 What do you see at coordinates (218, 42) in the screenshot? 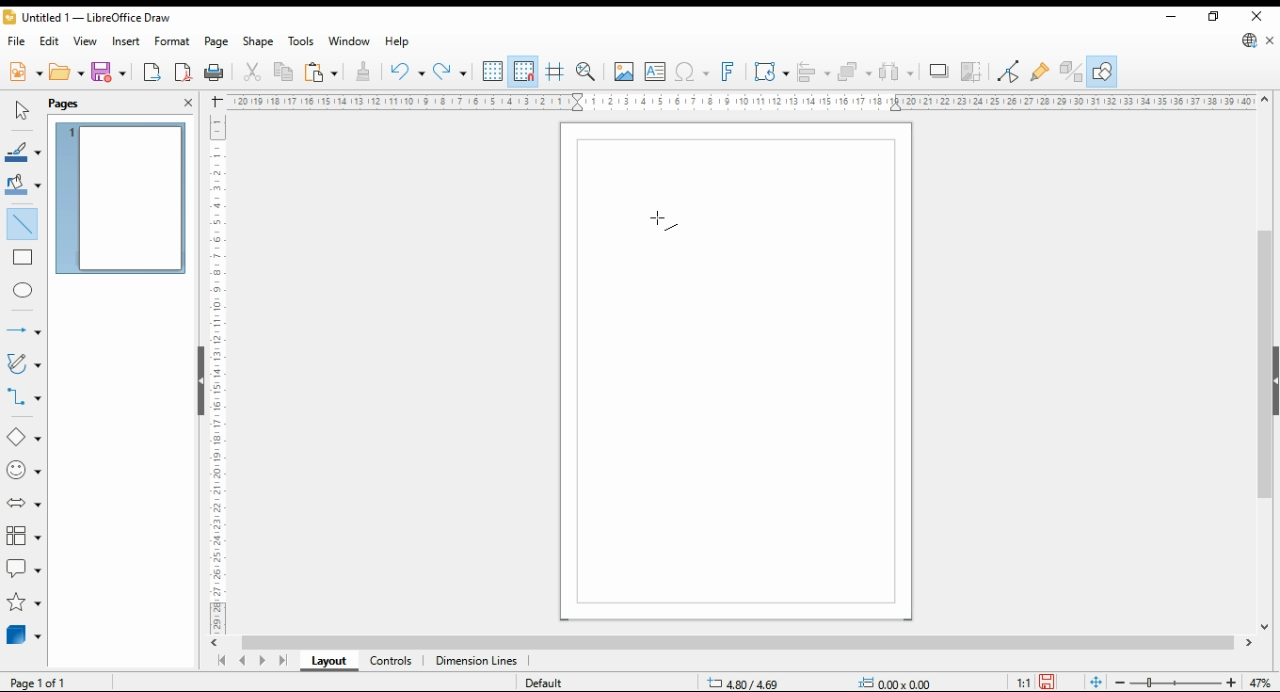
I see `page` at bounding box center [218, 42].